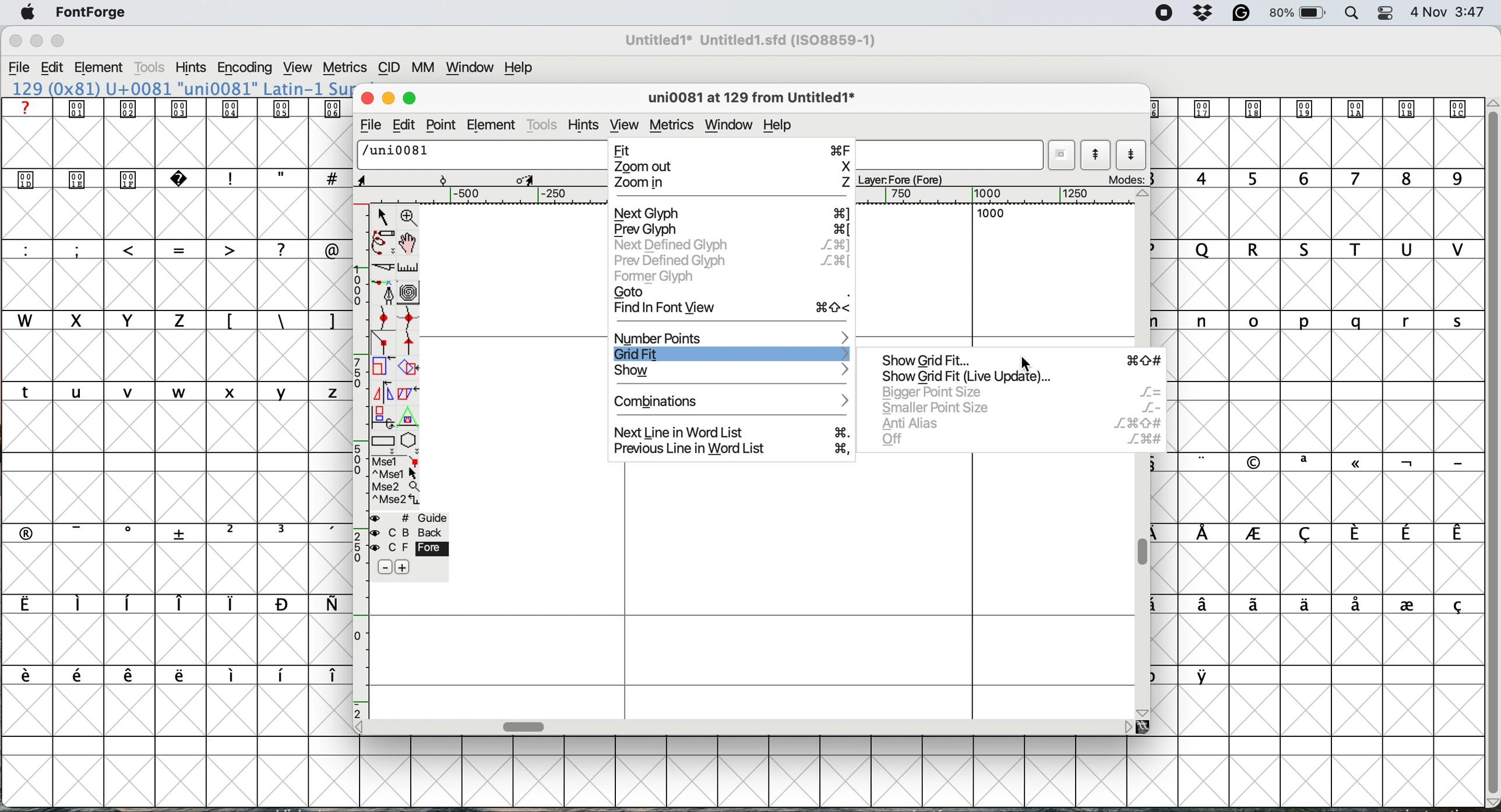 The height and width of the screenshot is (812, 1501). What do you see at coordinates (1385, 14) in the screenshot?
I see `Control Center` at bounding box center [1385, 14].